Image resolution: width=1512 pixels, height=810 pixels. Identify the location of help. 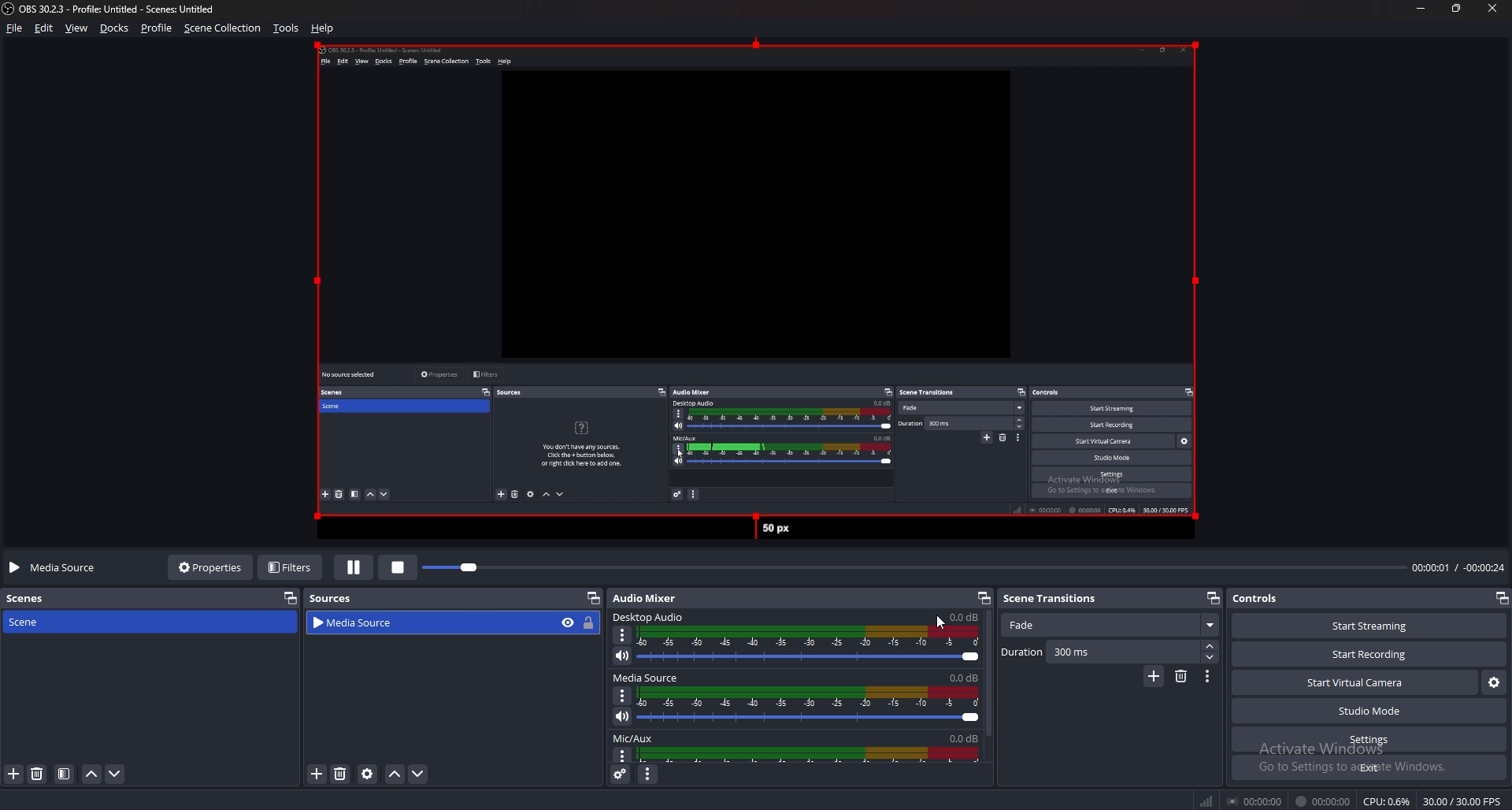
(323, 28).